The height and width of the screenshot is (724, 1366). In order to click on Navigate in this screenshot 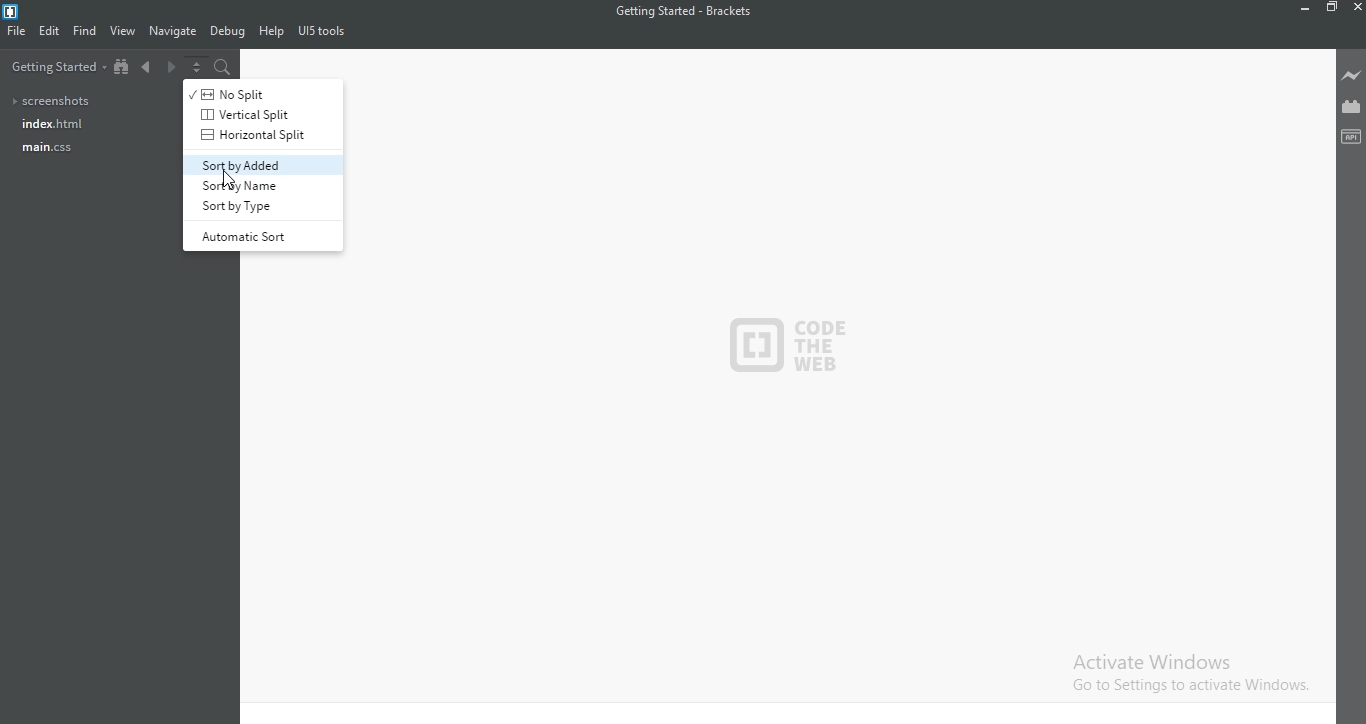, I will do `click(174, 30)`.